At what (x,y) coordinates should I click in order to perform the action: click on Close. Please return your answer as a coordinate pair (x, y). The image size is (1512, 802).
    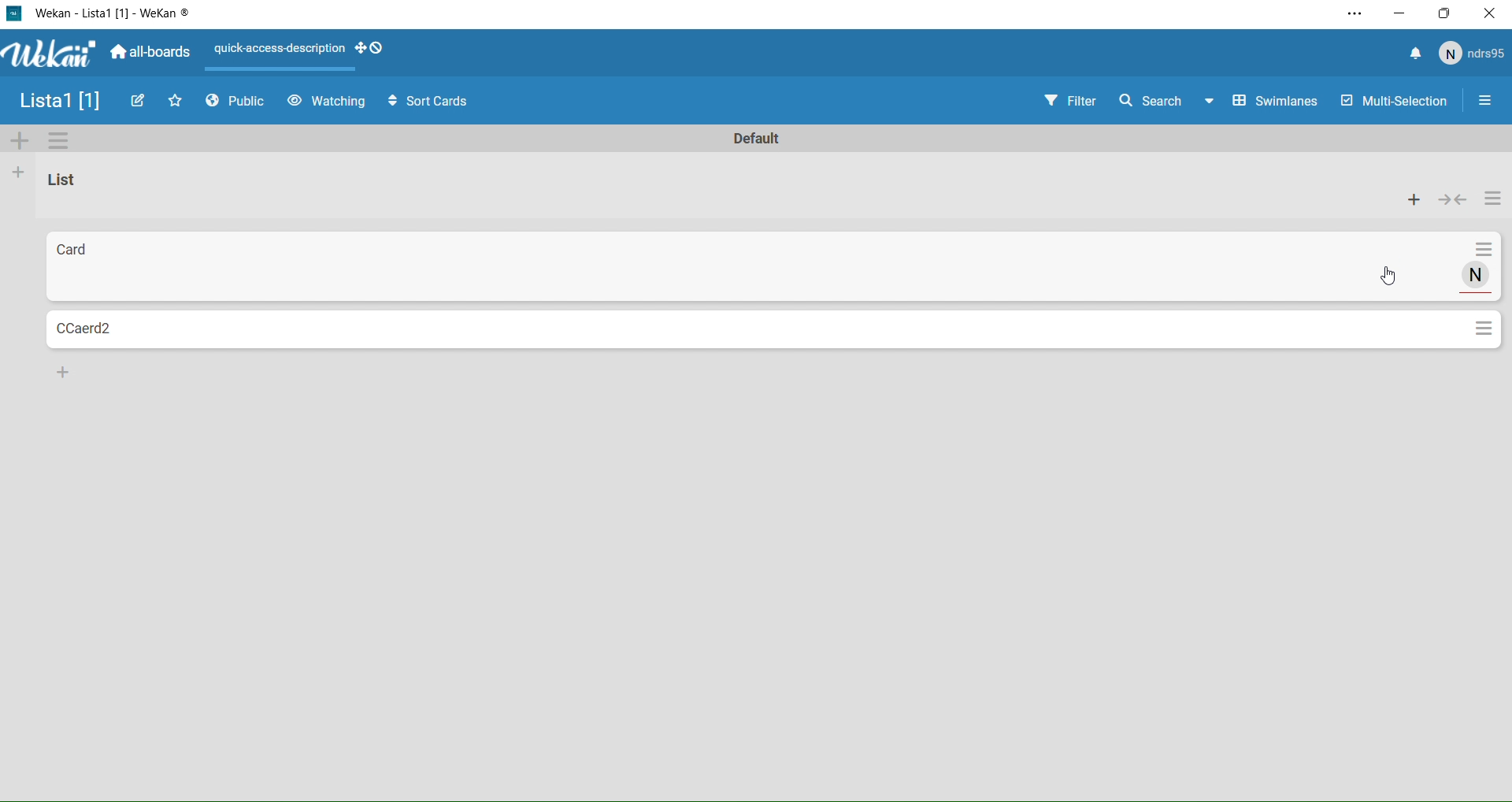
    Looking at the image, I should click on (1490, 16).